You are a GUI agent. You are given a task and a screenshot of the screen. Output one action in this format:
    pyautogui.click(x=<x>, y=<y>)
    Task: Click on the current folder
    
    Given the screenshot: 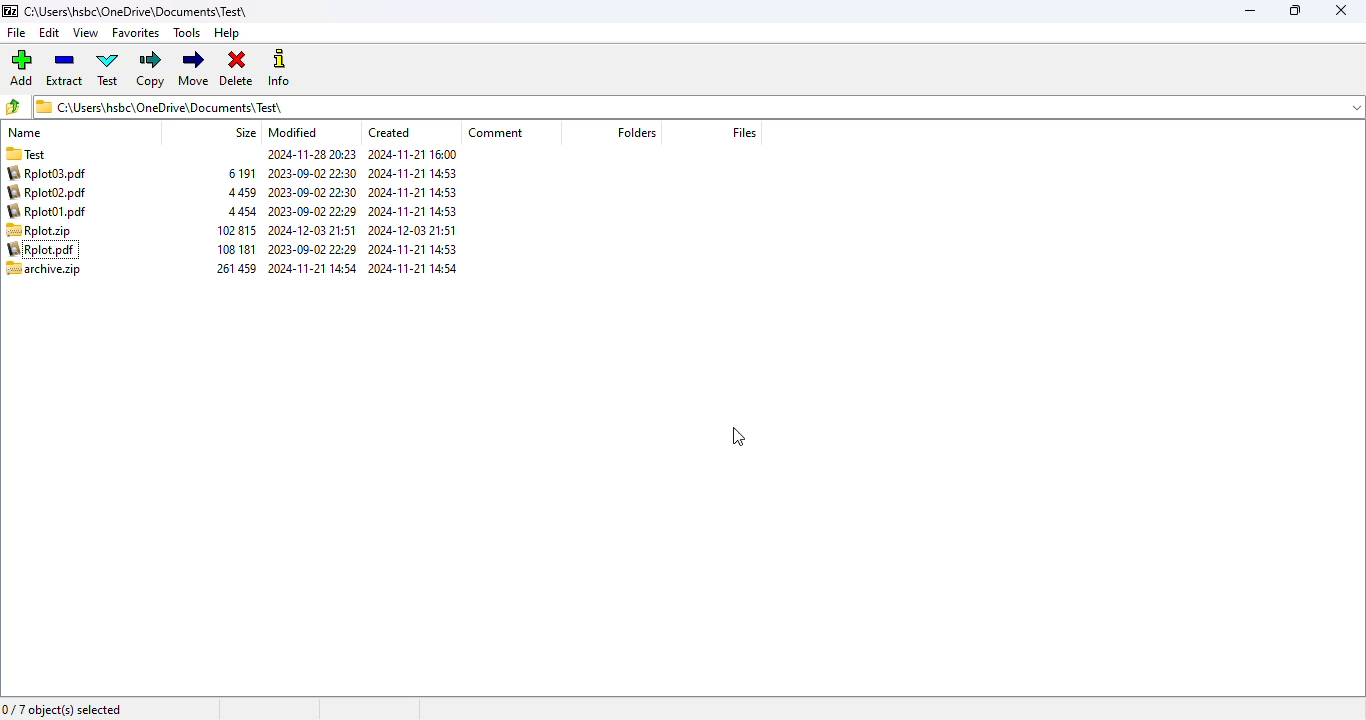 What is the action you would take?
    pyautogui.click(x=685, y=106)
    